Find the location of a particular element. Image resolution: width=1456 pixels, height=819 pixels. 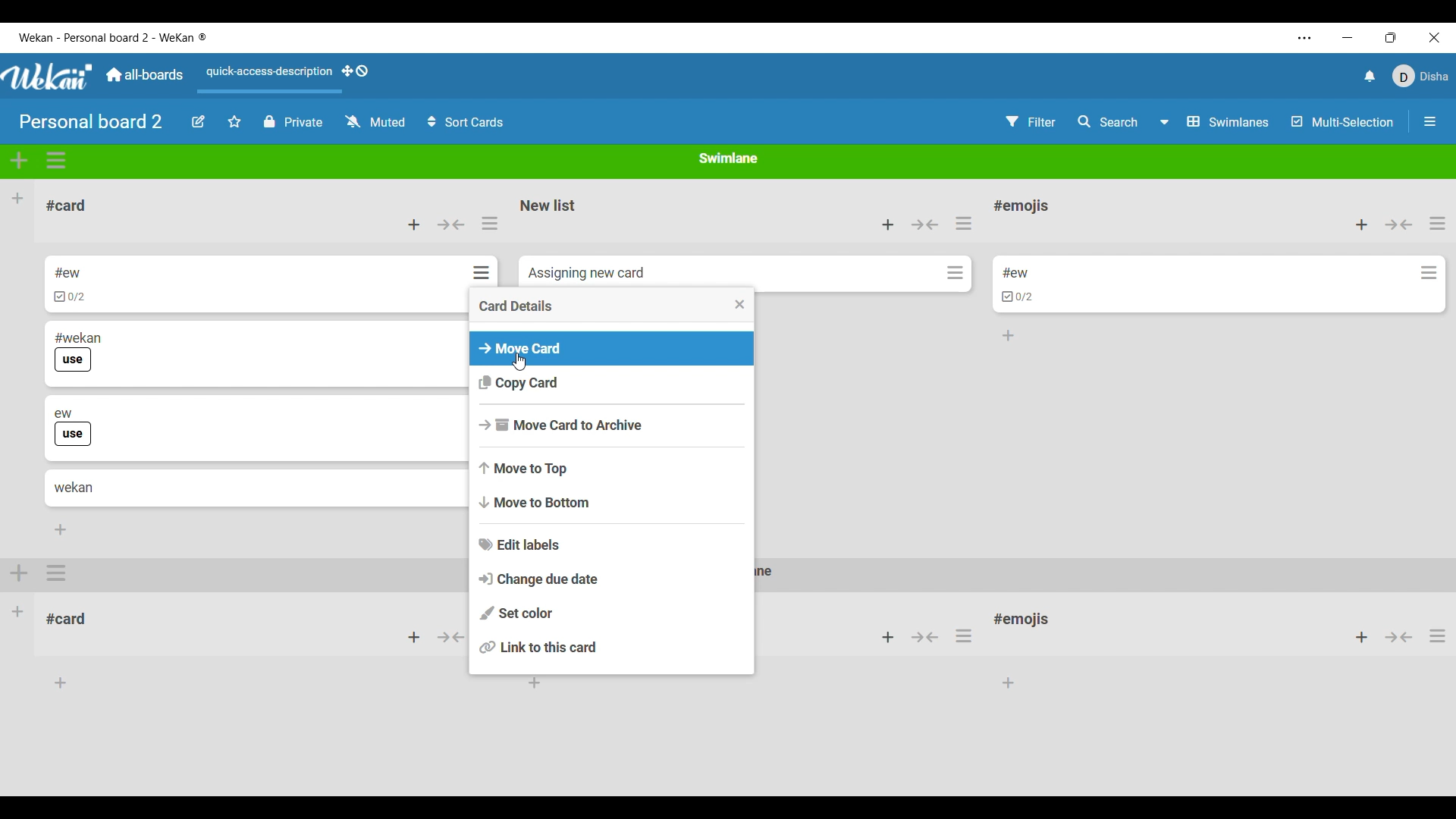

Collapse is located at coordinates (1399, 224).